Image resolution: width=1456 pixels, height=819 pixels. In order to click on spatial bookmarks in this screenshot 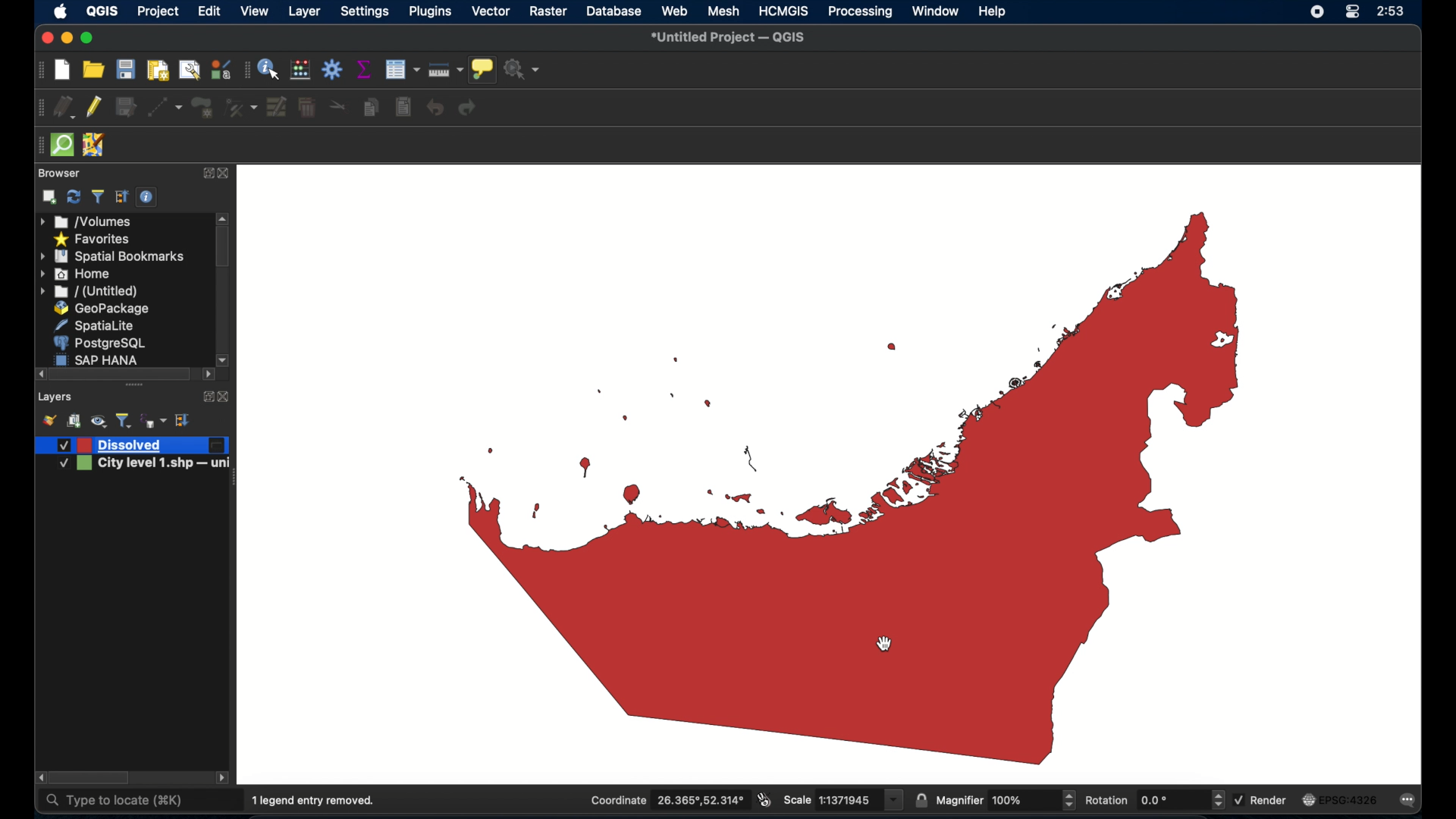, I will do `click(111, 257)`.